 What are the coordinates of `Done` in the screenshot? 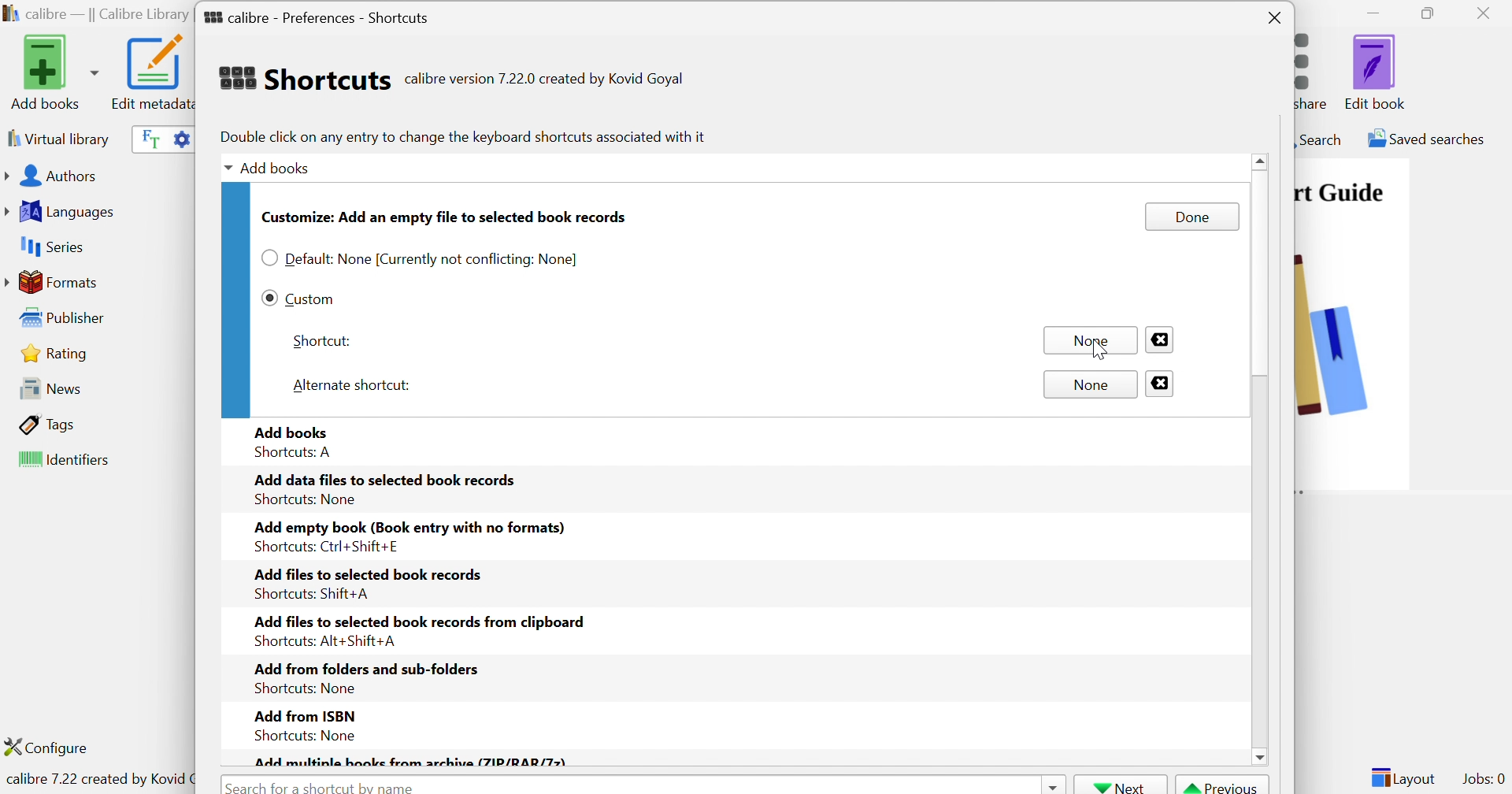 It's located at (1191, 217).